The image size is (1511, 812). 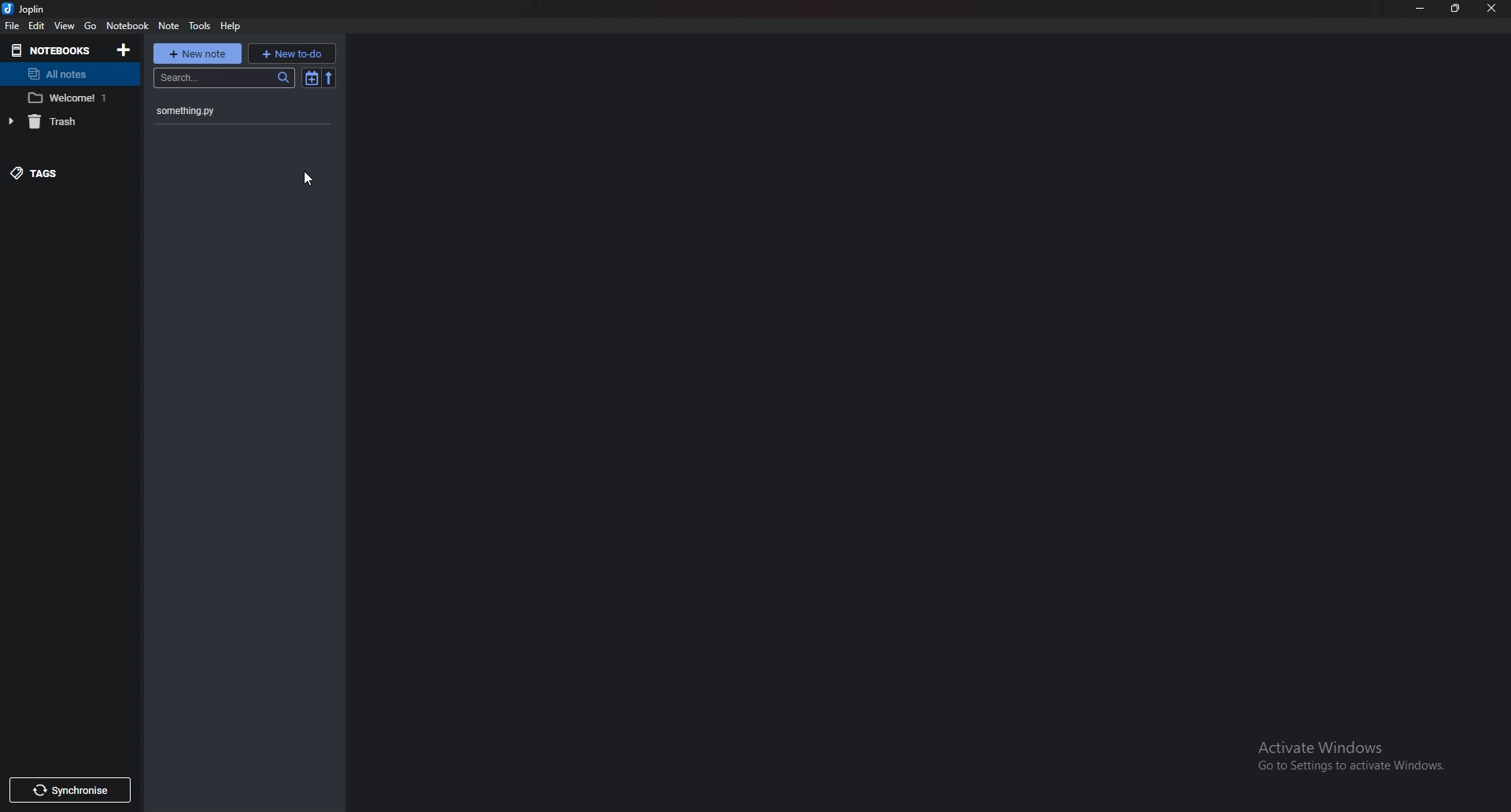 What do you see at coordinates (200, 27) in the screenshot?
I see `Tools` at bounding box center [200, 27].